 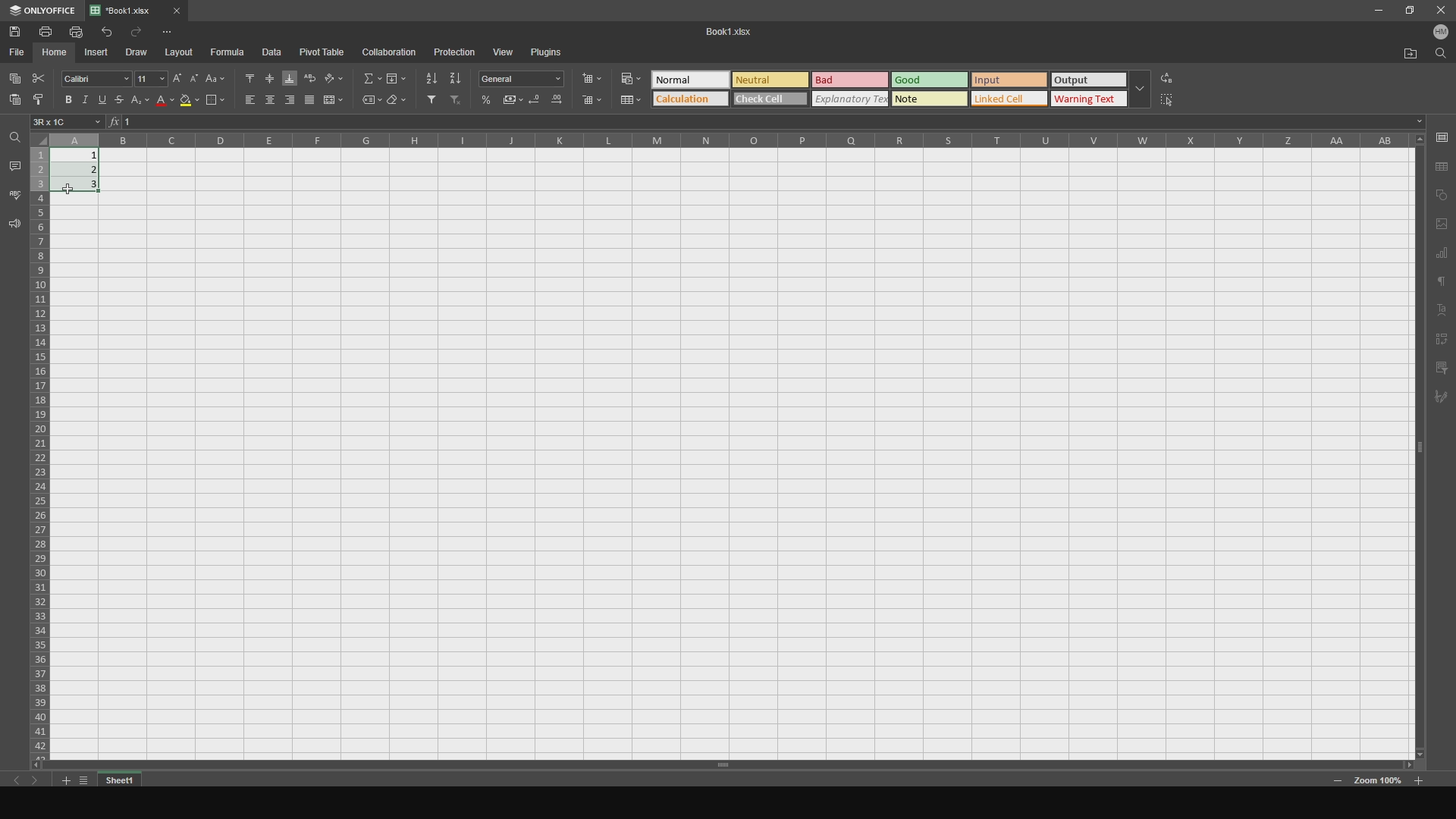 What do you see at coordinates (764, 122) in the screenshot?
I see `cell functions` at bounding box center [764, 122].